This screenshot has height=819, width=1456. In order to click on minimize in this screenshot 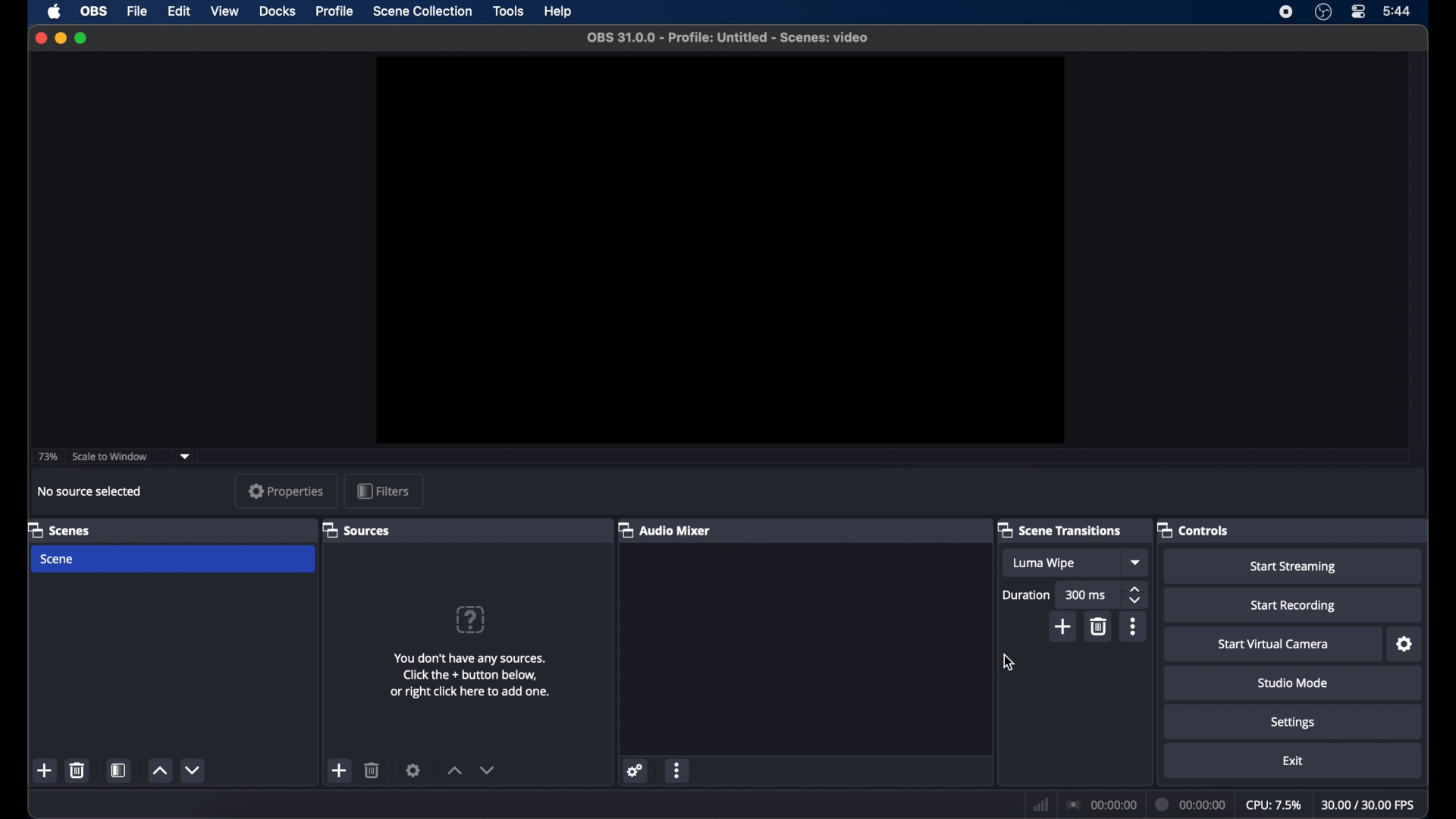, I will do `click(61, 38)`.